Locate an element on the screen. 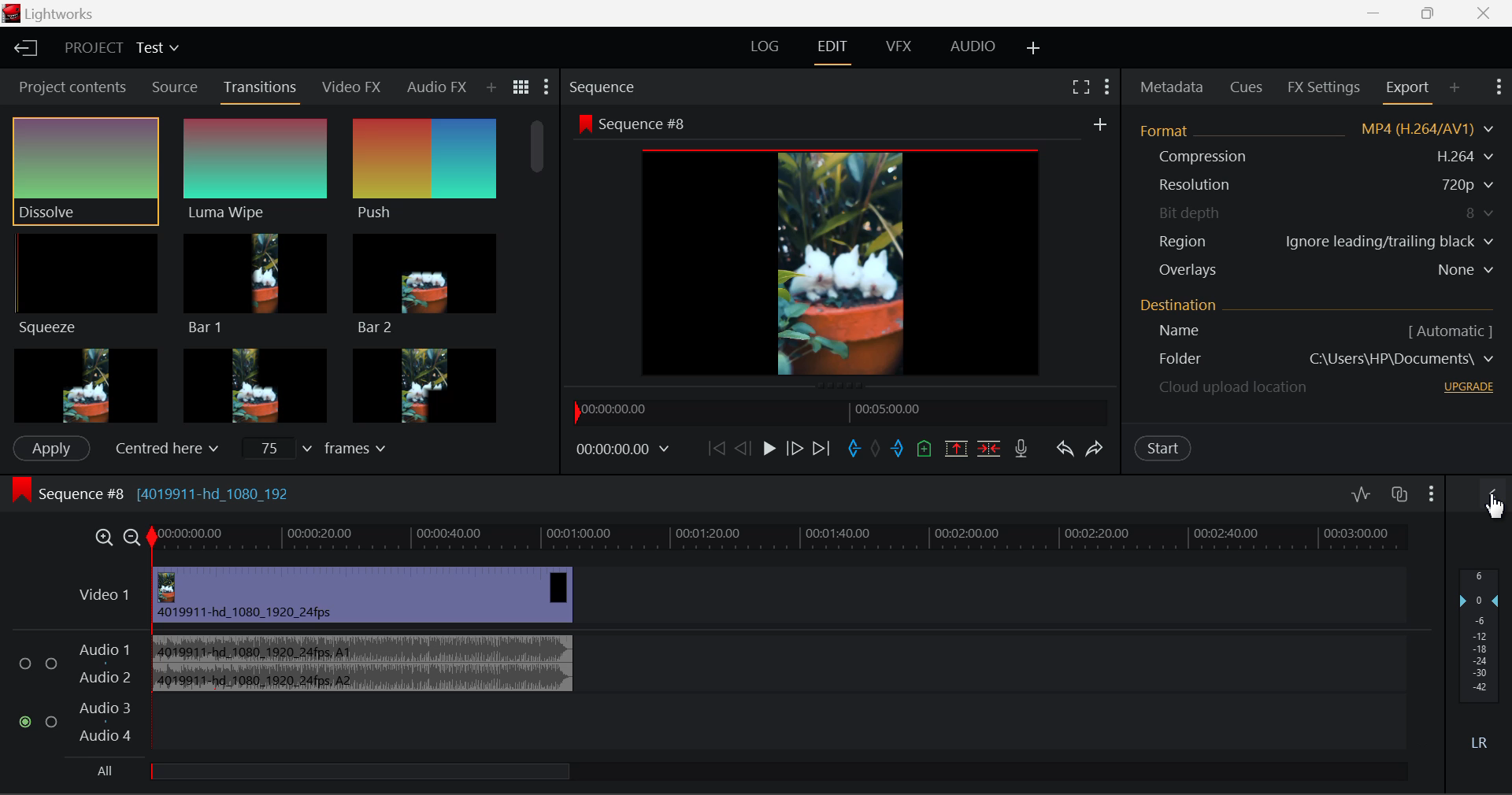 Image resolution: width=1512 pixels, height=795 pixels. Full Screen is located at coordinates (1080, 87).